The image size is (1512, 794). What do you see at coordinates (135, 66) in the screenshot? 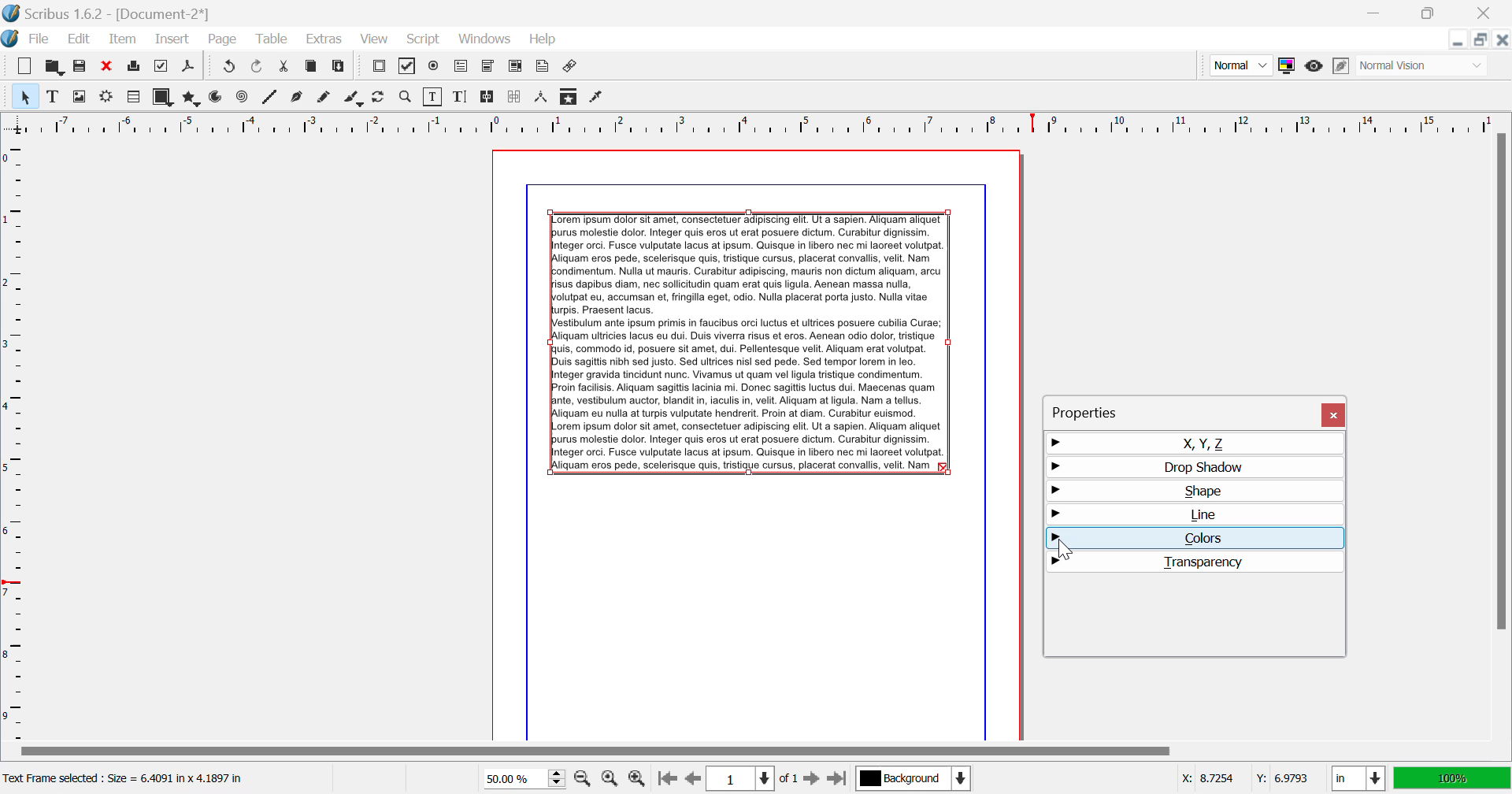
I see `Print` at bounding box center [135, 66].